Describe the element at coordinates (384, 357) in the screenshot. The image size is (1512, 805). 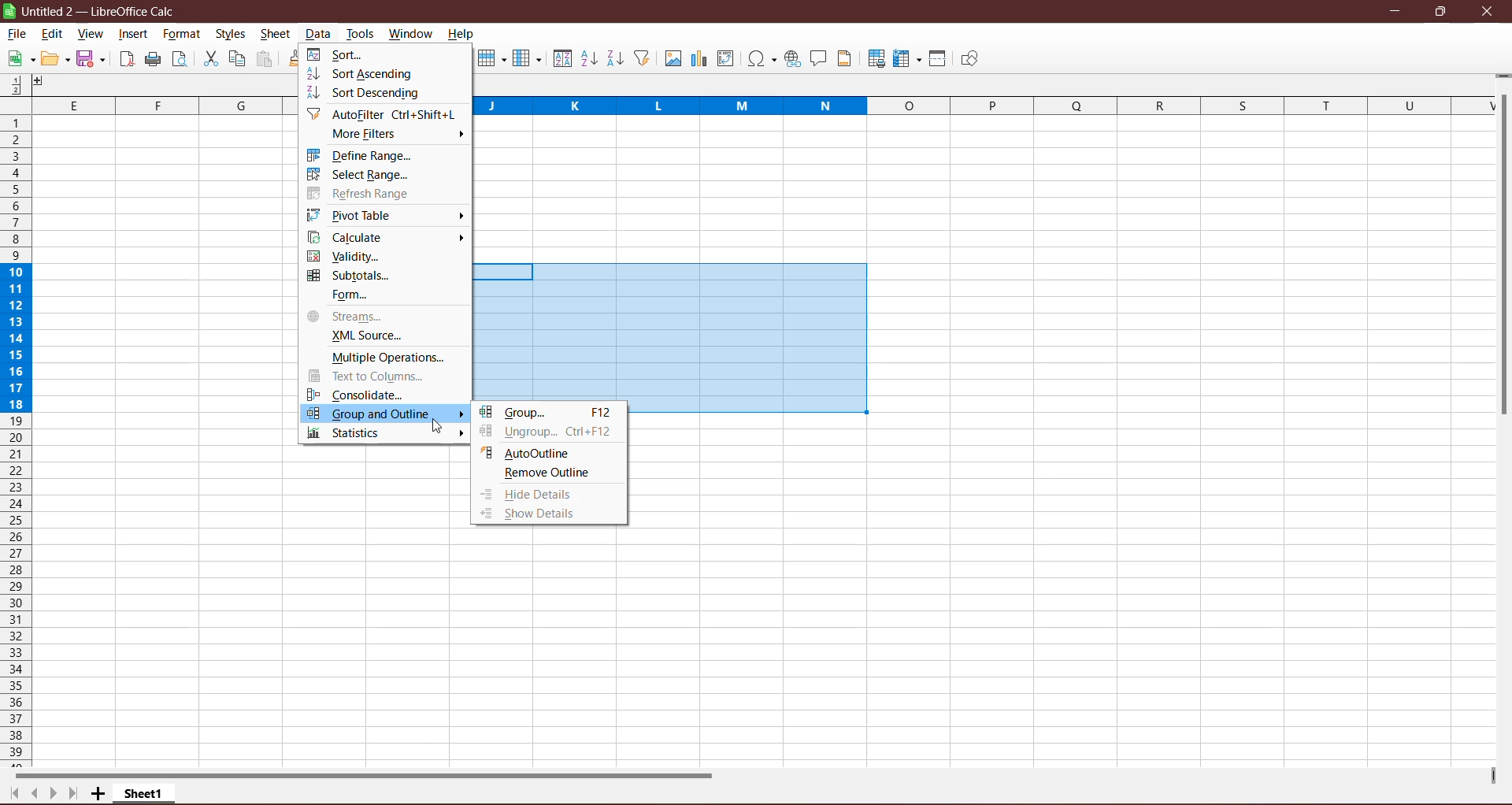
I see `Multiple Operations` at that location.